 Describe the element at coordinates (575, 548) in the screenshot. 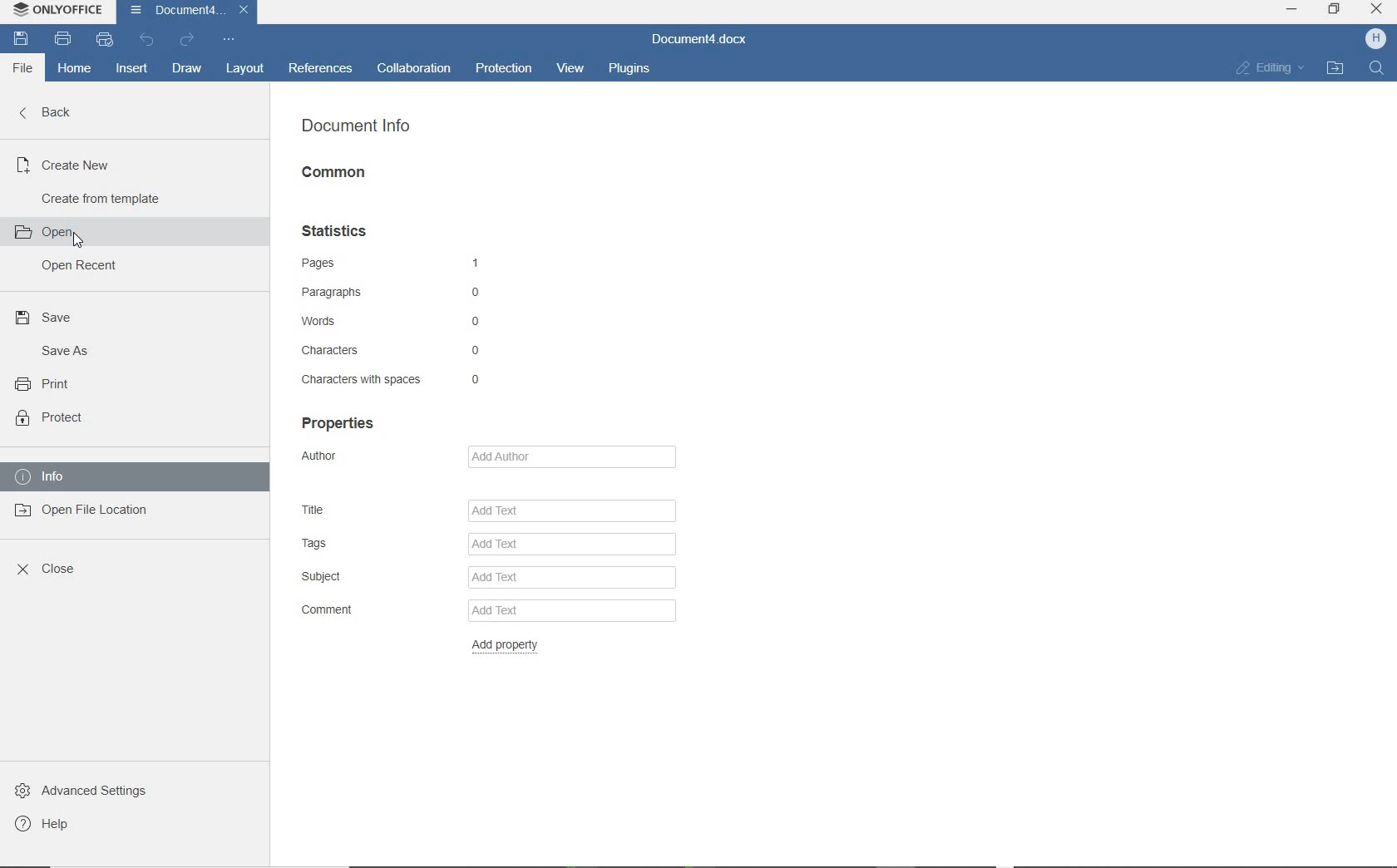

I see `Add Text` at that location.